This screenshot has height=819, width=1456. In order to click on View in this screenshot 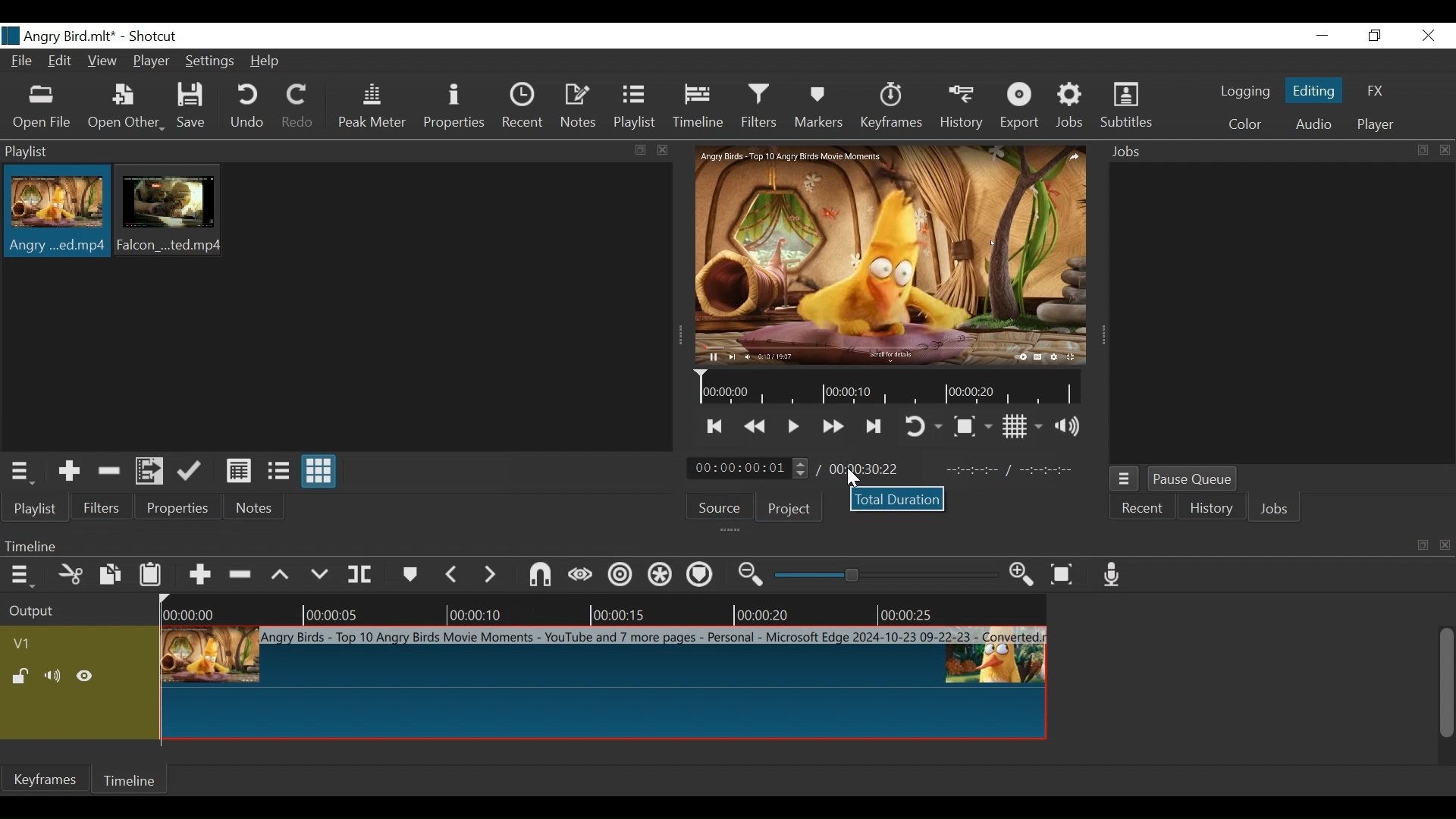, I will do `click(102, 63)`.